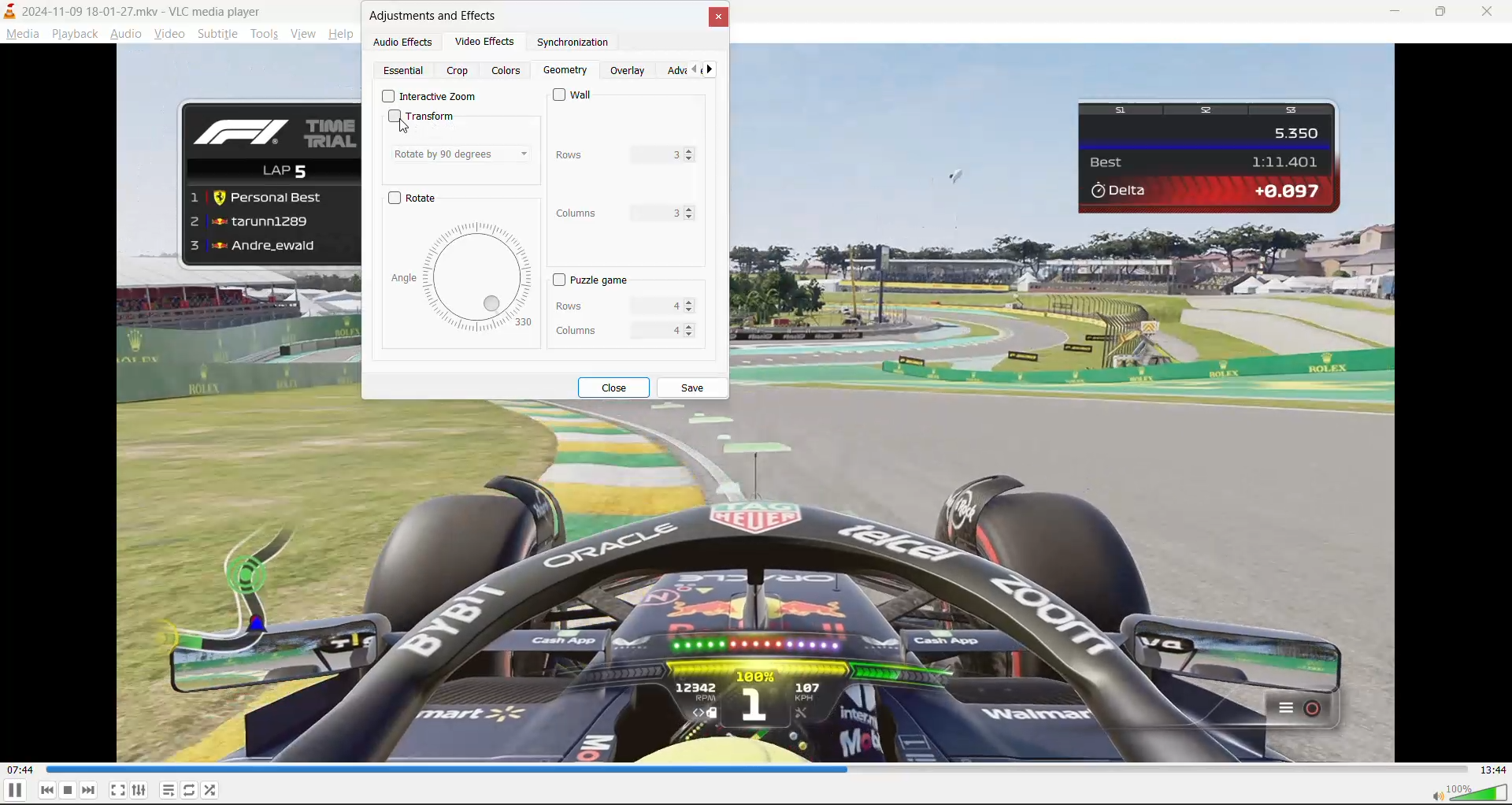 The width and height of the screenshot is (1512, 805). What do you see at coordinates (489, 42) in the screenshot?
I see `video effects` at bounding box center [489, 42].